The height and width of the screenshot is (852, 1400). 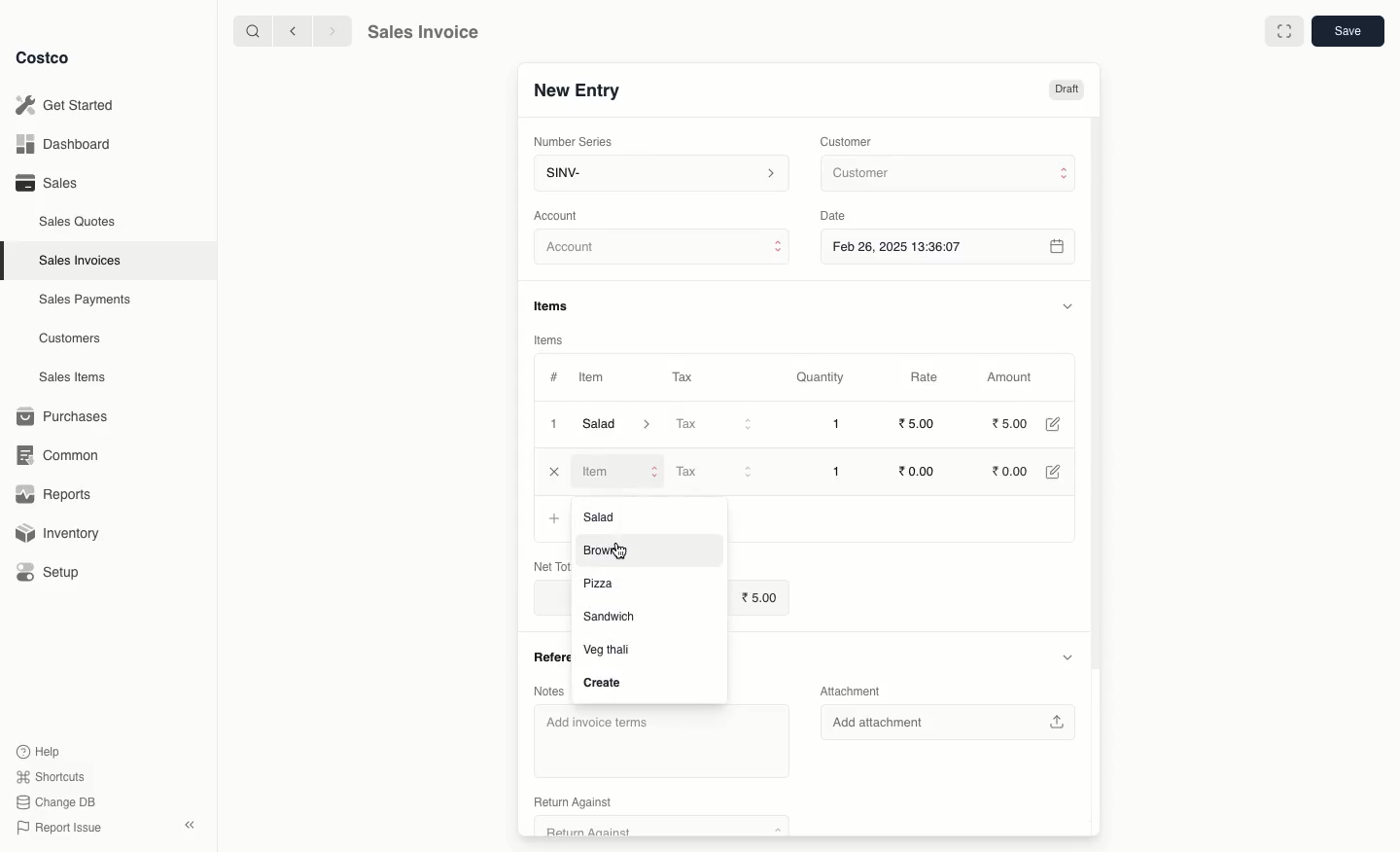 I want to click on SINV-, so click(x=660, y=175).